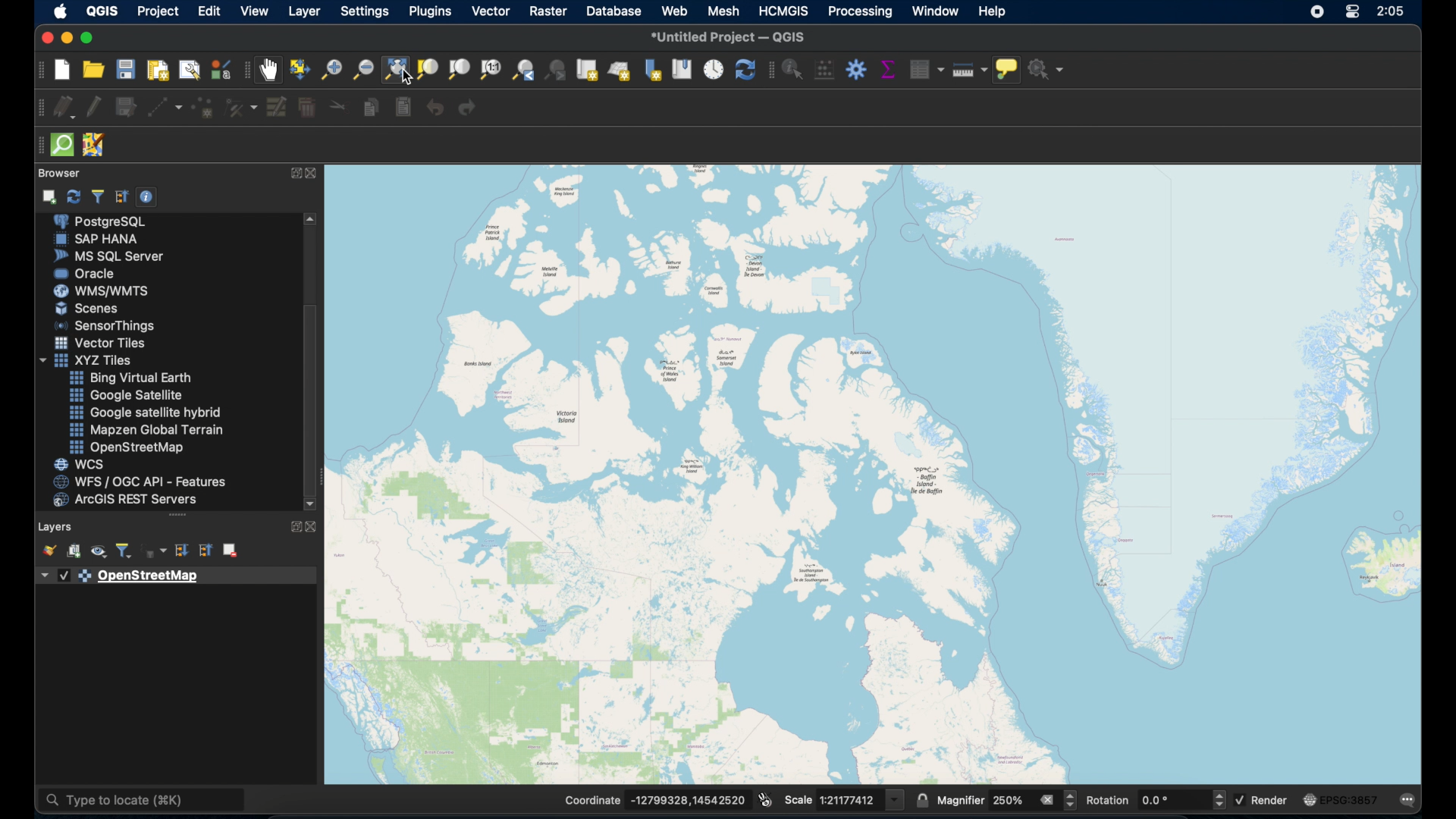 The height and width of the screenshot is (819, 1456). Describe the element at coordinates (189, 67) in the screenshot. I see `show layout manager` at that location.